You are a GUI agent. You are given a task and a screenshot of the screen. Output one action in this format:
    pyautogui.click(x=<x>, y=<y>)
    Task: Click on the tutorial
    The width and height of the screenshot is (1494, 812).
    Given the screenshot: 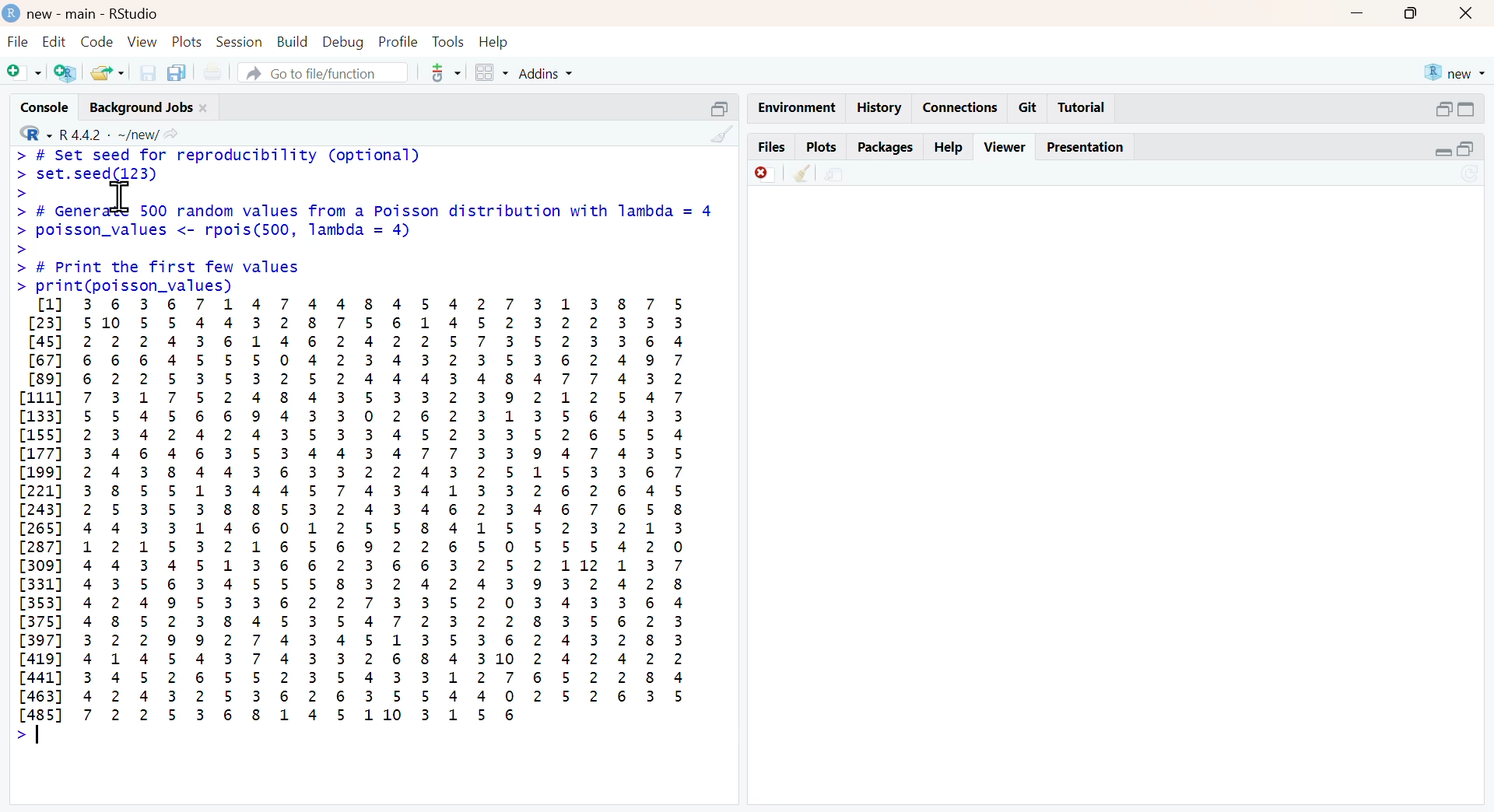 What is the action you would take?
    pyautogui.click(x=1082, y=108)
    